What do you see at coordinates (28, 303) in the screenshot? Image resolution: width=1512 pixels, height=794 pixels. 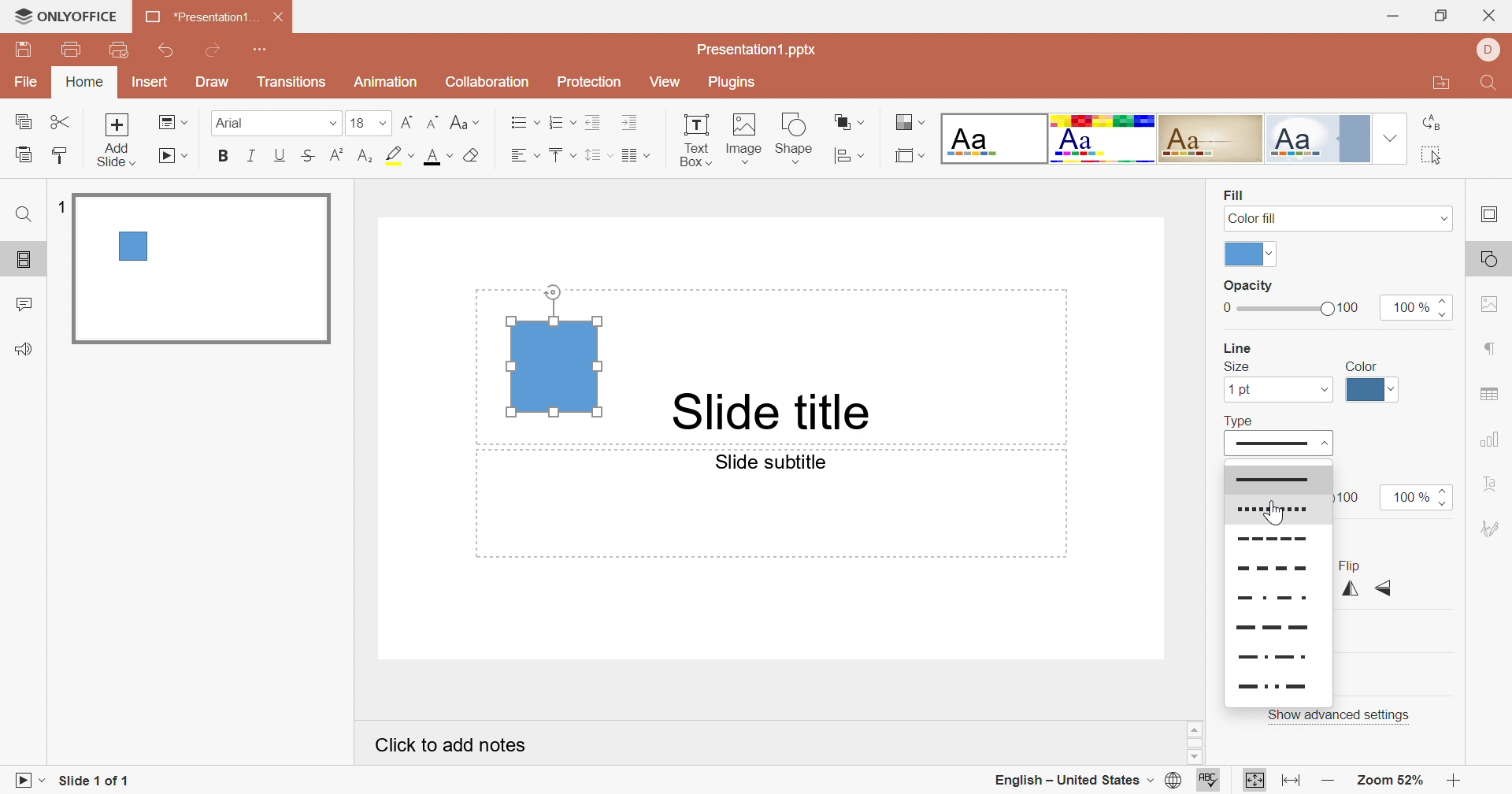 I see `comments` at bounding box center [28, 303].